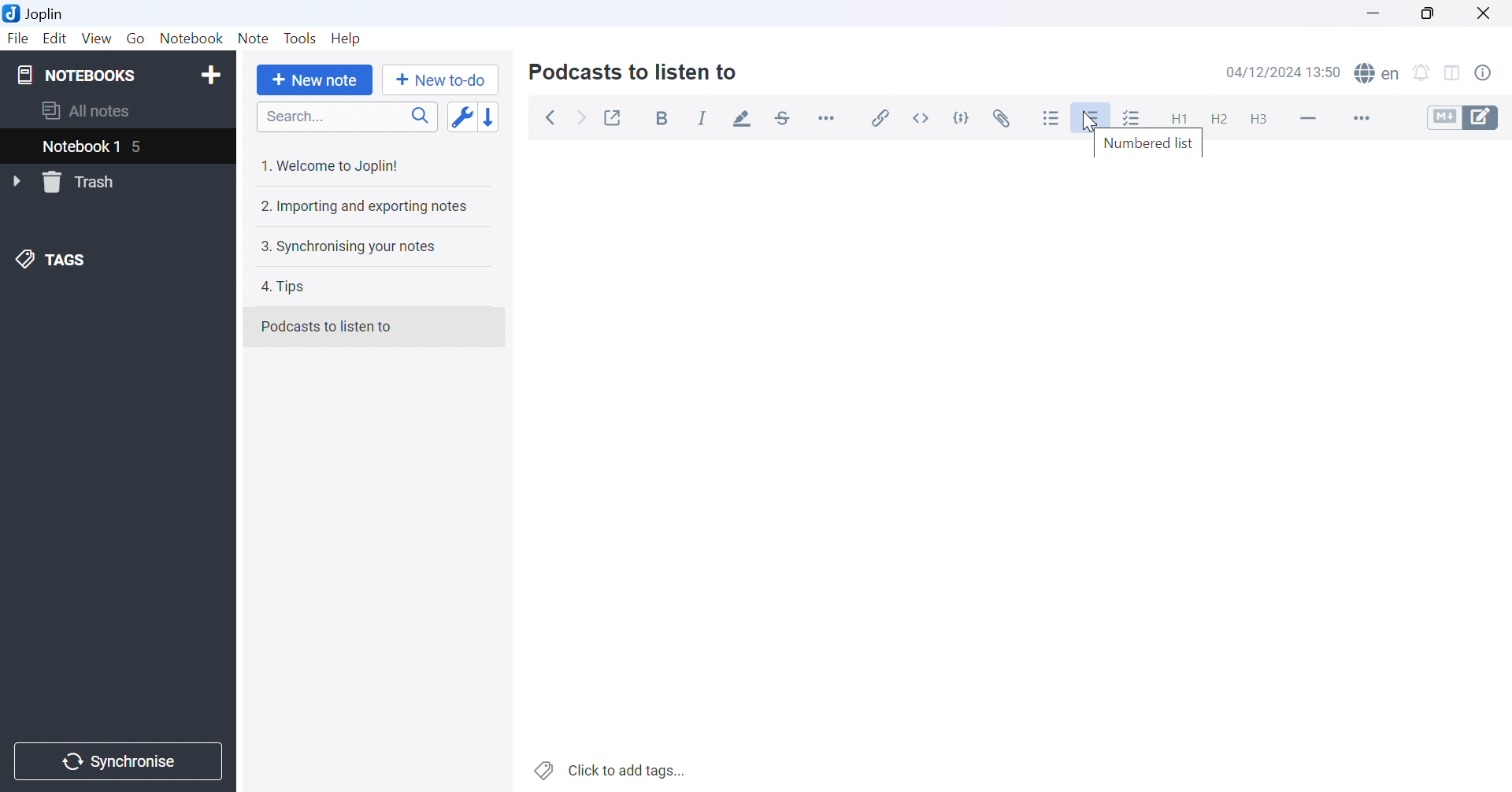  I want to click on More, so click(1359, 117).